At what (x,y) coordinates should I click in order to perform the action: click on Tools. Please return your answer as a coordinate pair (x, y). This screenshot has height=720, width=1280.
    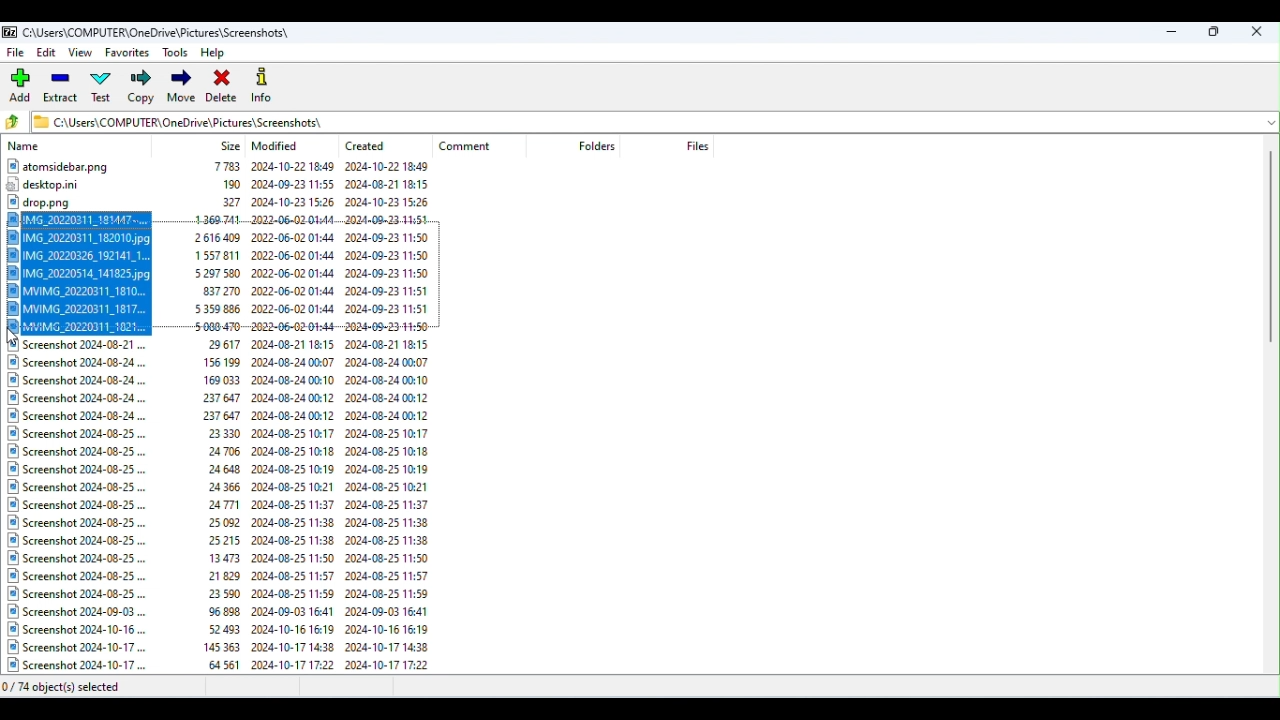
    Looking at the image, I should click on (176, 52).